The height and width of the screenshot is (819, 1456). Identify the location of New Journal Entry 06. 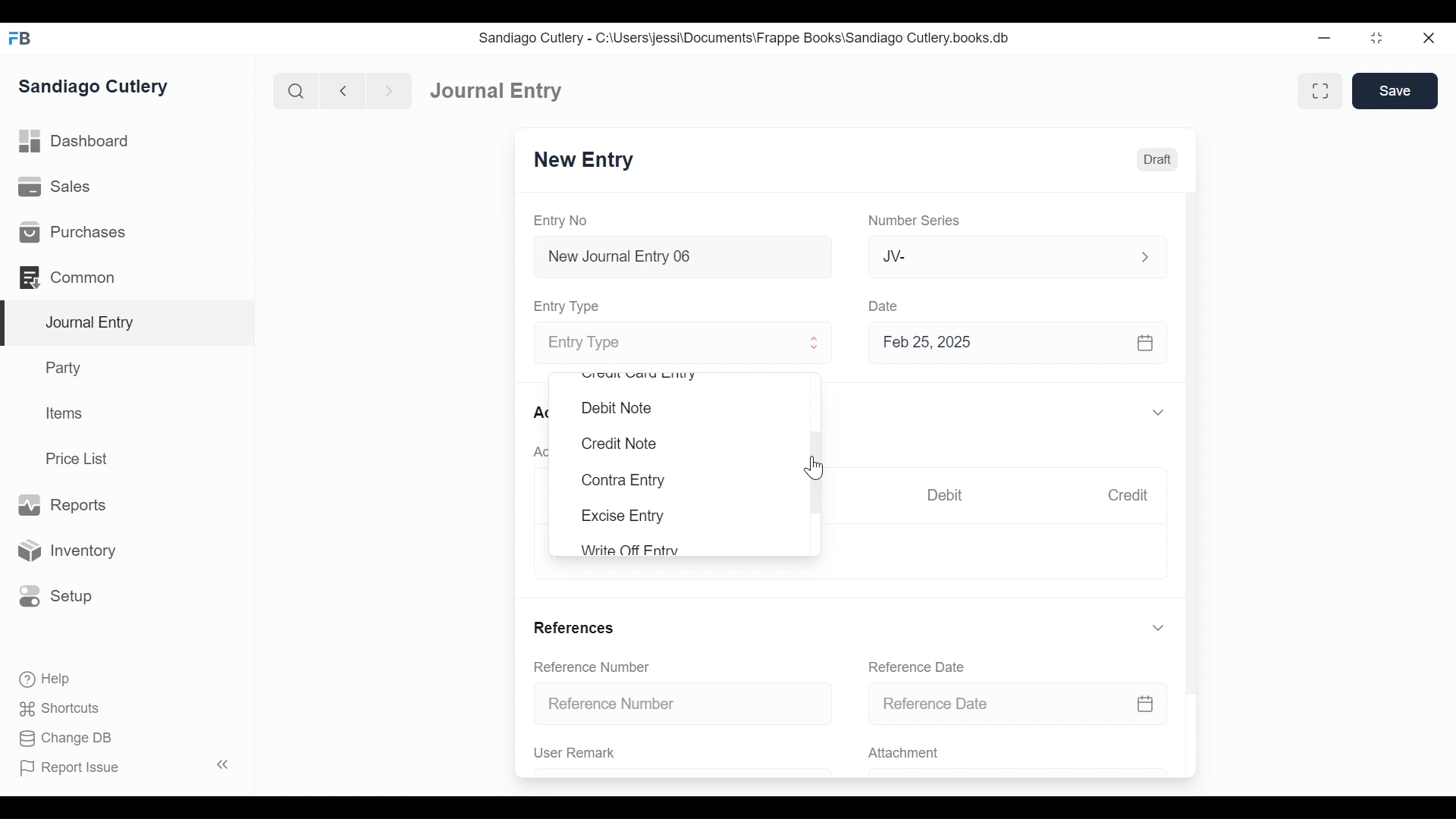
(680, 259).